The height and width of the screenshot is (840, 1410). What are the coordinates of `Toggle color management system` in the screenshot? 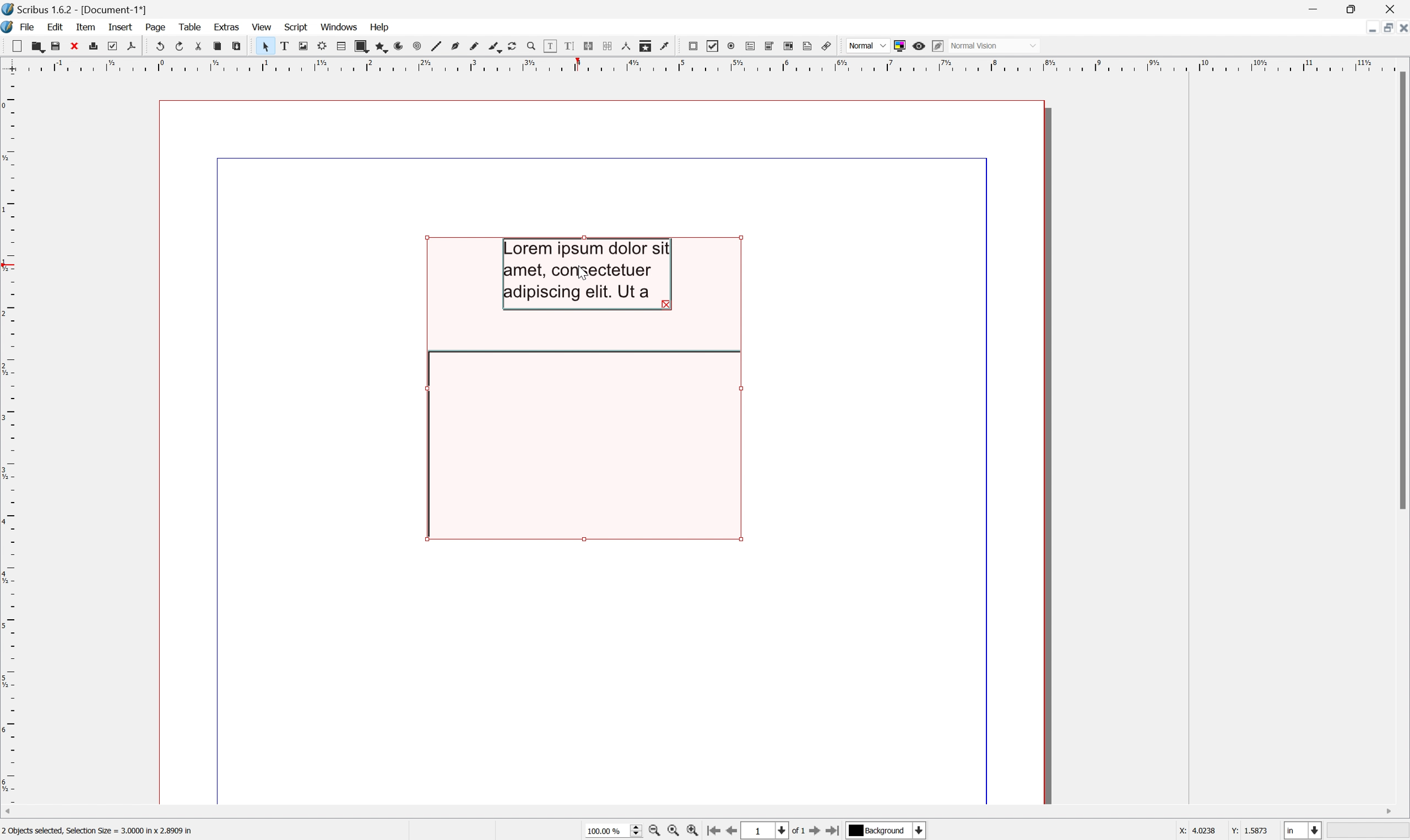 It's located at (896, 44).